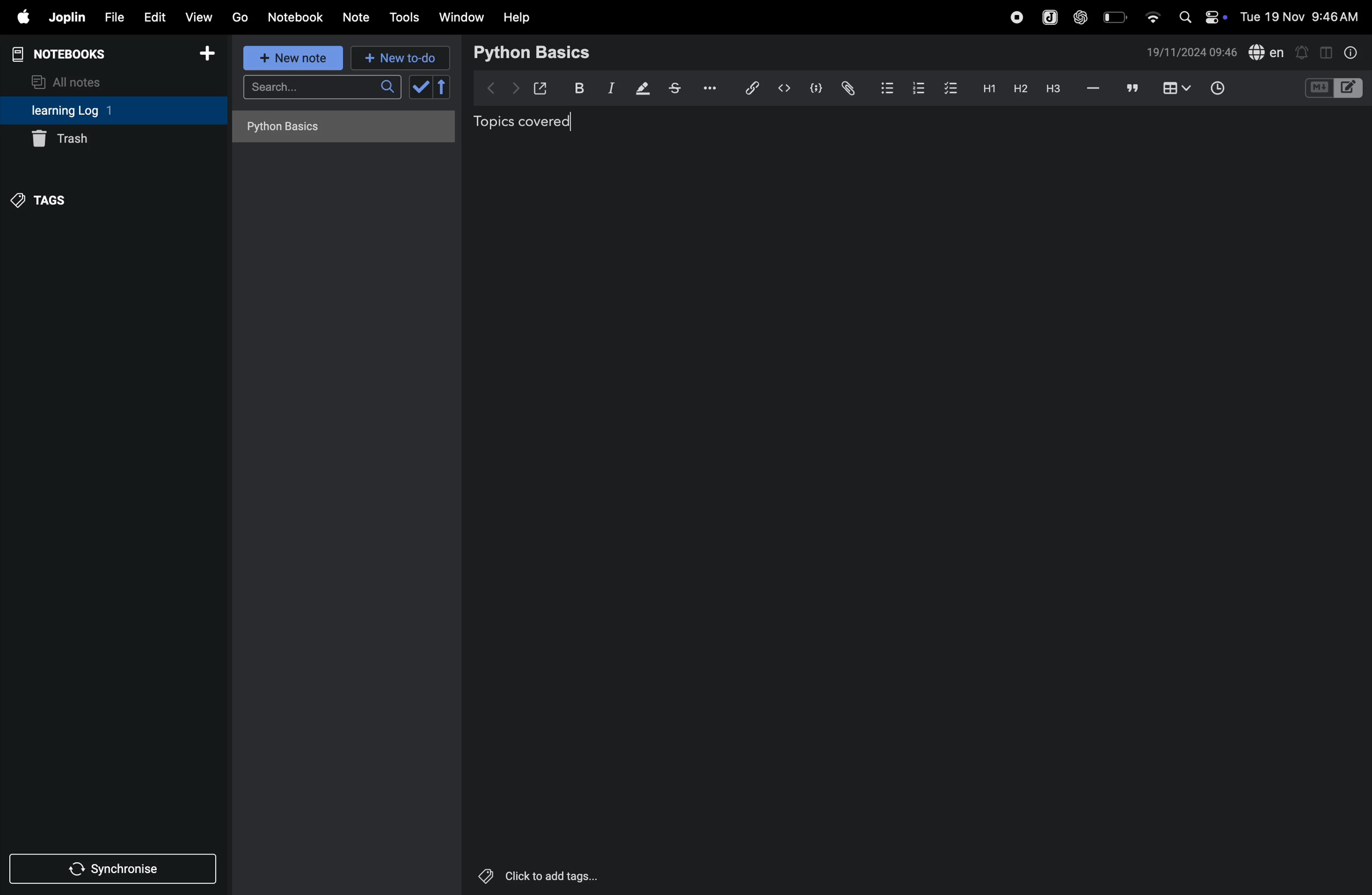  Describe the element at coordinates (576, 88) in the screenshot. I see `bold` at that location.